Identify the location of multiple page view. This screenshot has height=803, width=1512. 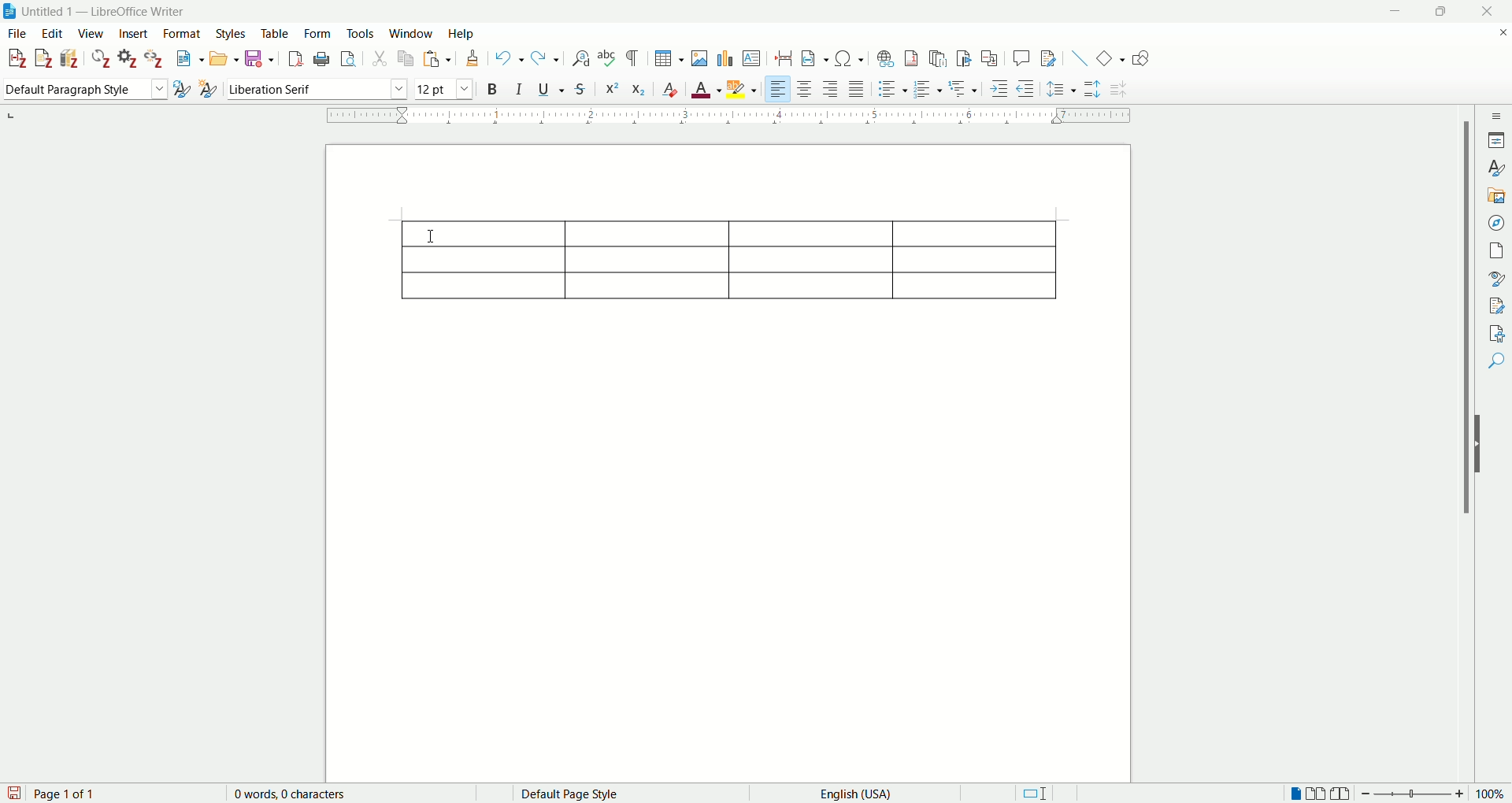
(1317, 795).